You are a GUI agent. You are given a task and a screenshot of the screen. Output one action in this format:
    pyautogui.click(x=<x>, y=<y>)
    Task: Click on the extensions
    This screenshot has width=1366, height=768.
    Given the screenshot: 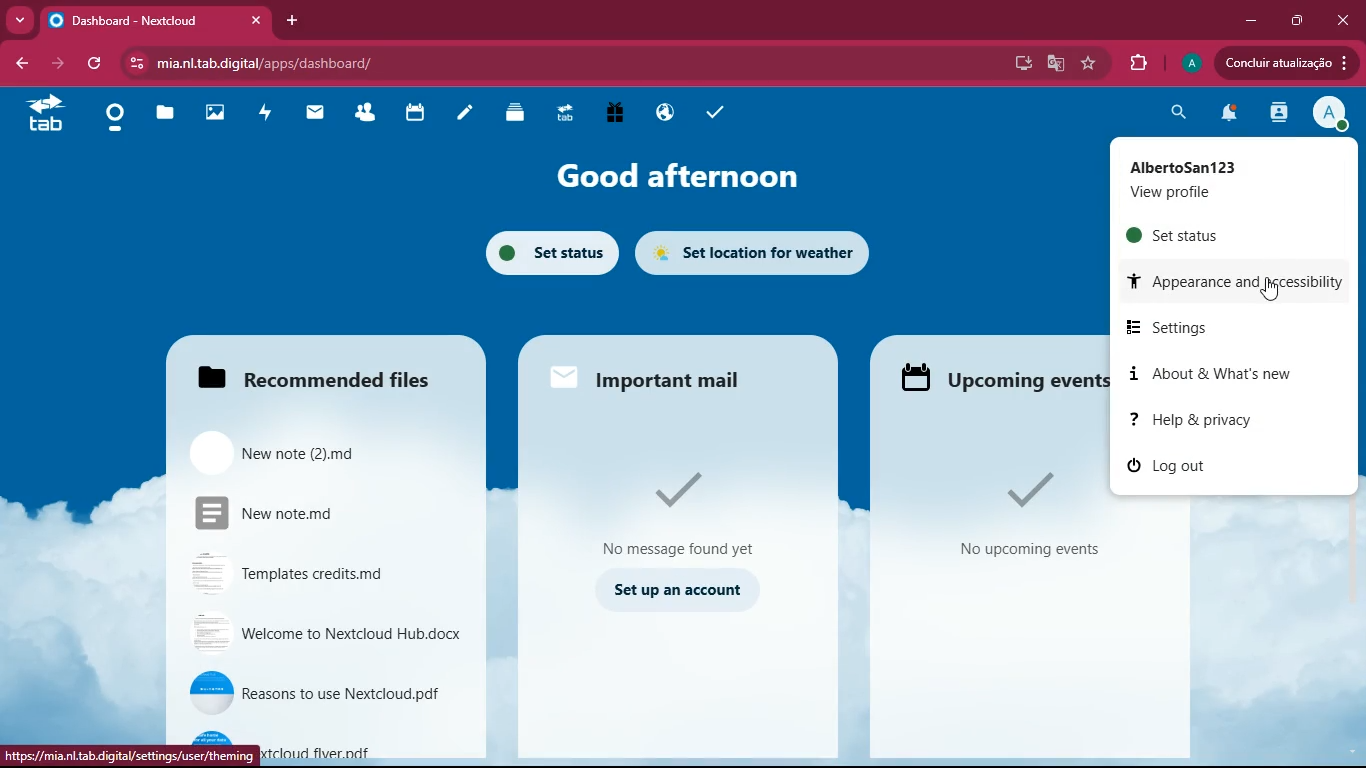 What is the action you would take?
    pyautogui.click(x=1140, y=63)
    